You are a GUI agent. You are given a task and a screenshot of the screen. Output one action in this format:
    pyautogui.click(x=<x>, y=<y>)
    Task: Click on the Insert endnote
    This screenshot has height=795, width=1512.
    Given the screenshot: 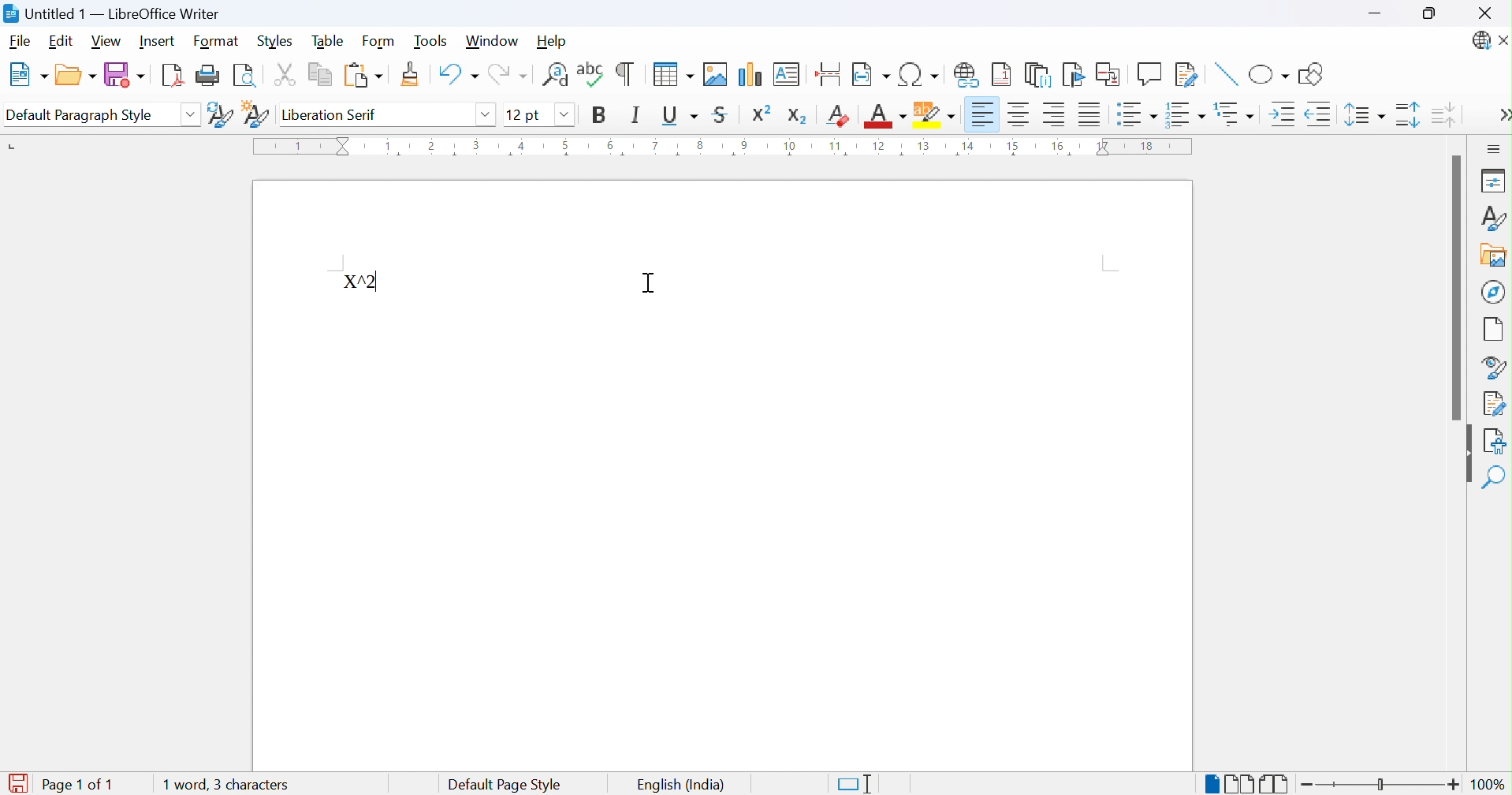 What is the action you would take?
    pyautogui.click(x=1041, y=76)
    